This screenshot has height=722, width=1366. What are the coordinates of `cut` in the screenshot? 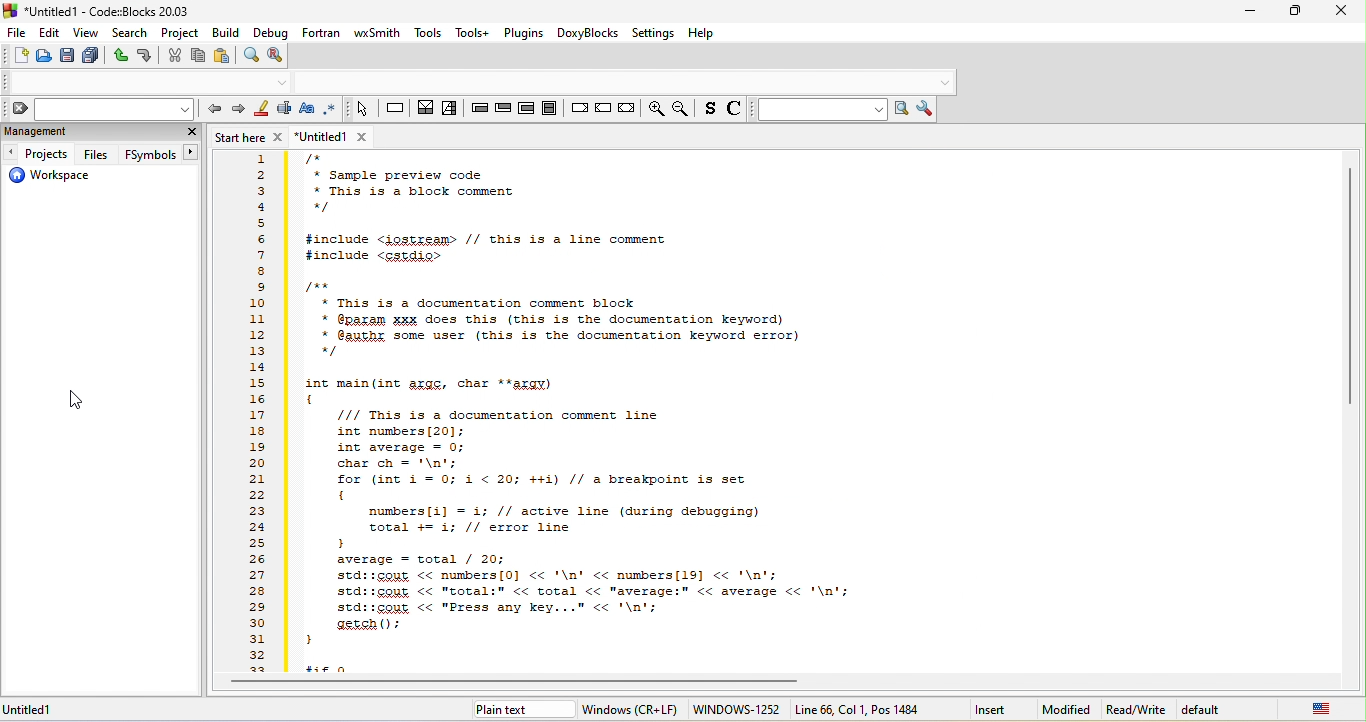 It's located at (174, 56).